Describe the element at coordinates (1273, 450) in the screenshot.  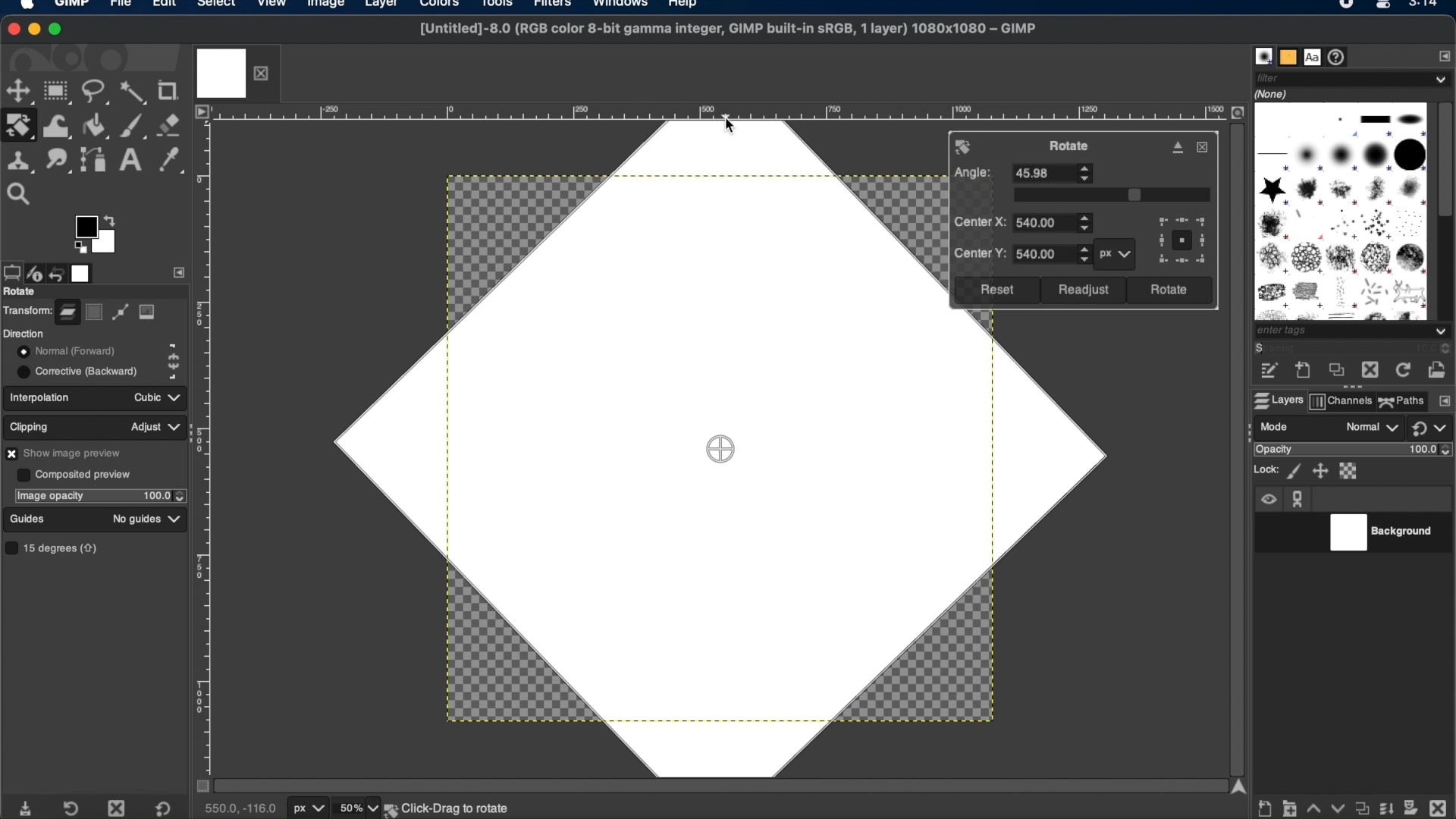
I see `opacity` at that location.